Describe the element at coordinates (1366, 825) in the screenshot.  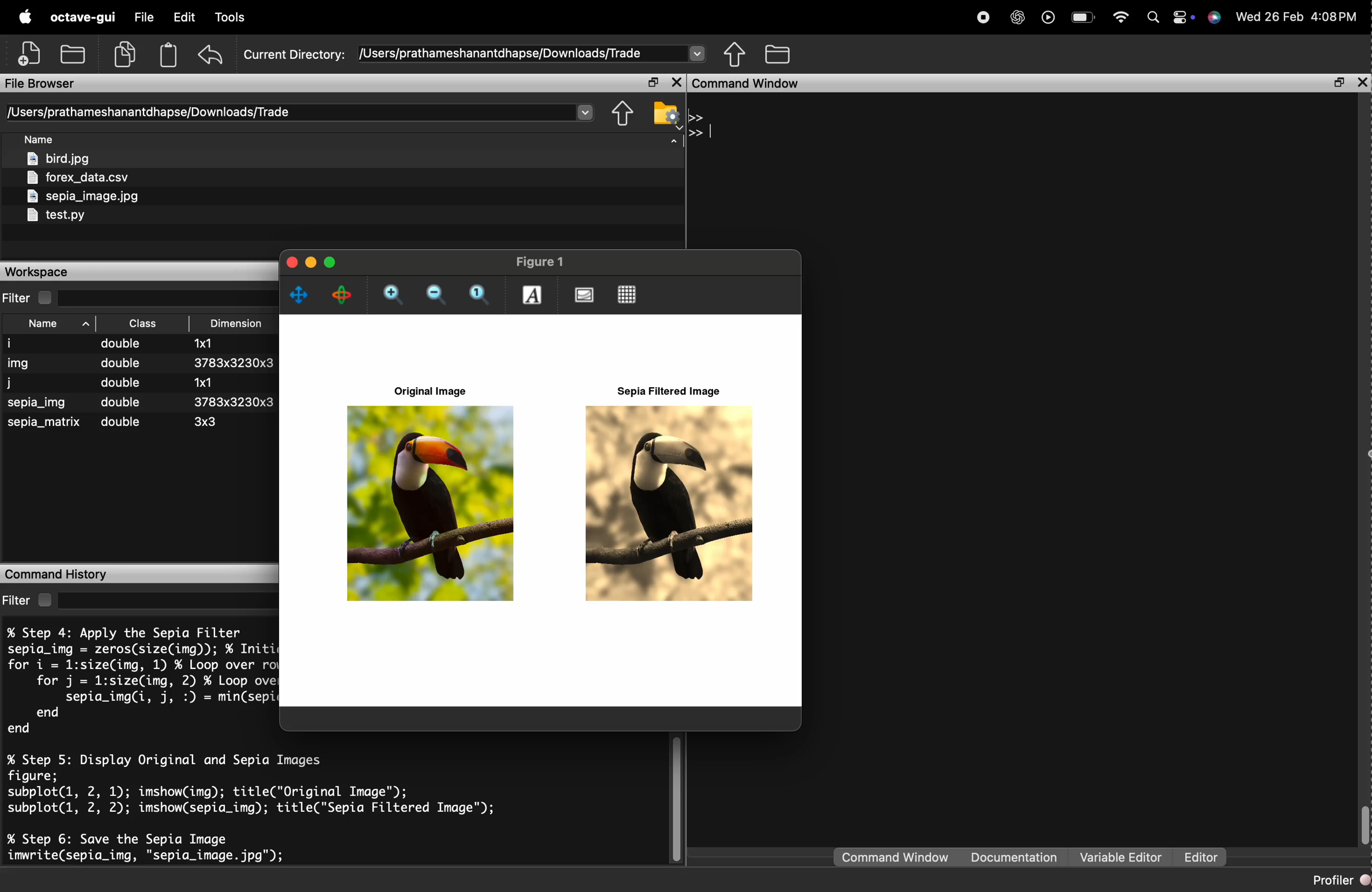
I see `scrollbar` at that location.